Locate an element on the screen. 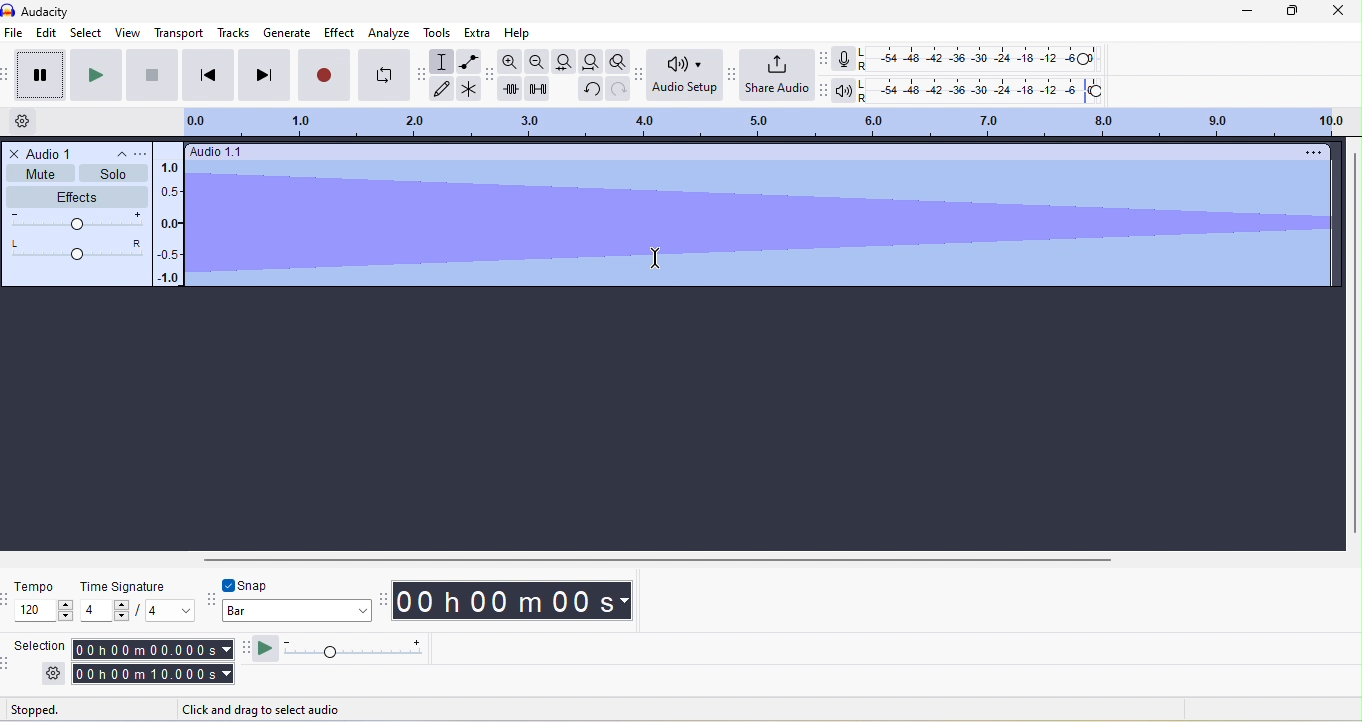 Image resolution: width=1362 pixels, height=722 pixels. 4/4 is located at coordinates (137, 611).